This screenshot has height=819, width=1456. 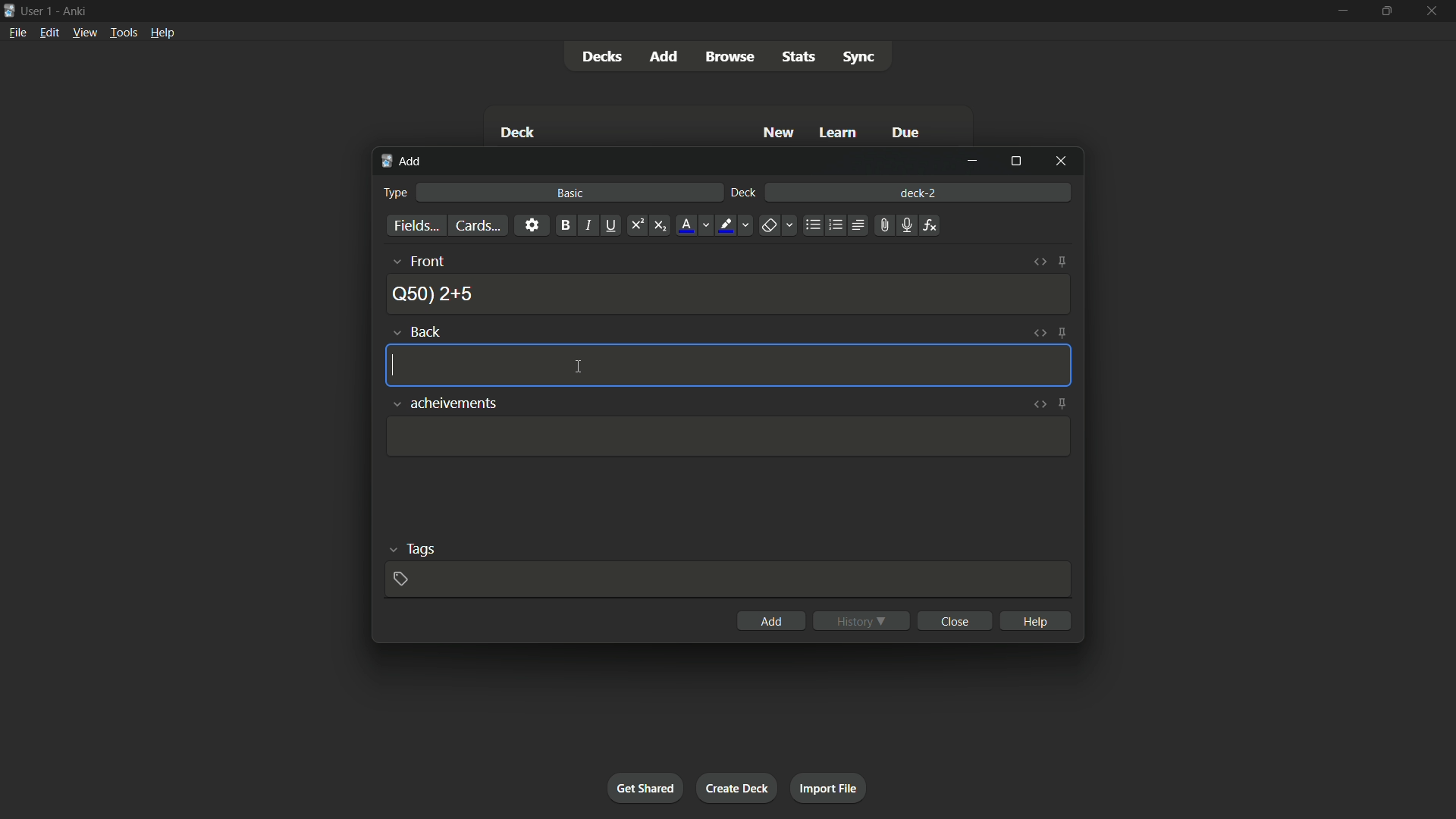 What do you see at coordinates (743, 193) in the screenshot?
I see `deck` at bounding box center [743, 193].